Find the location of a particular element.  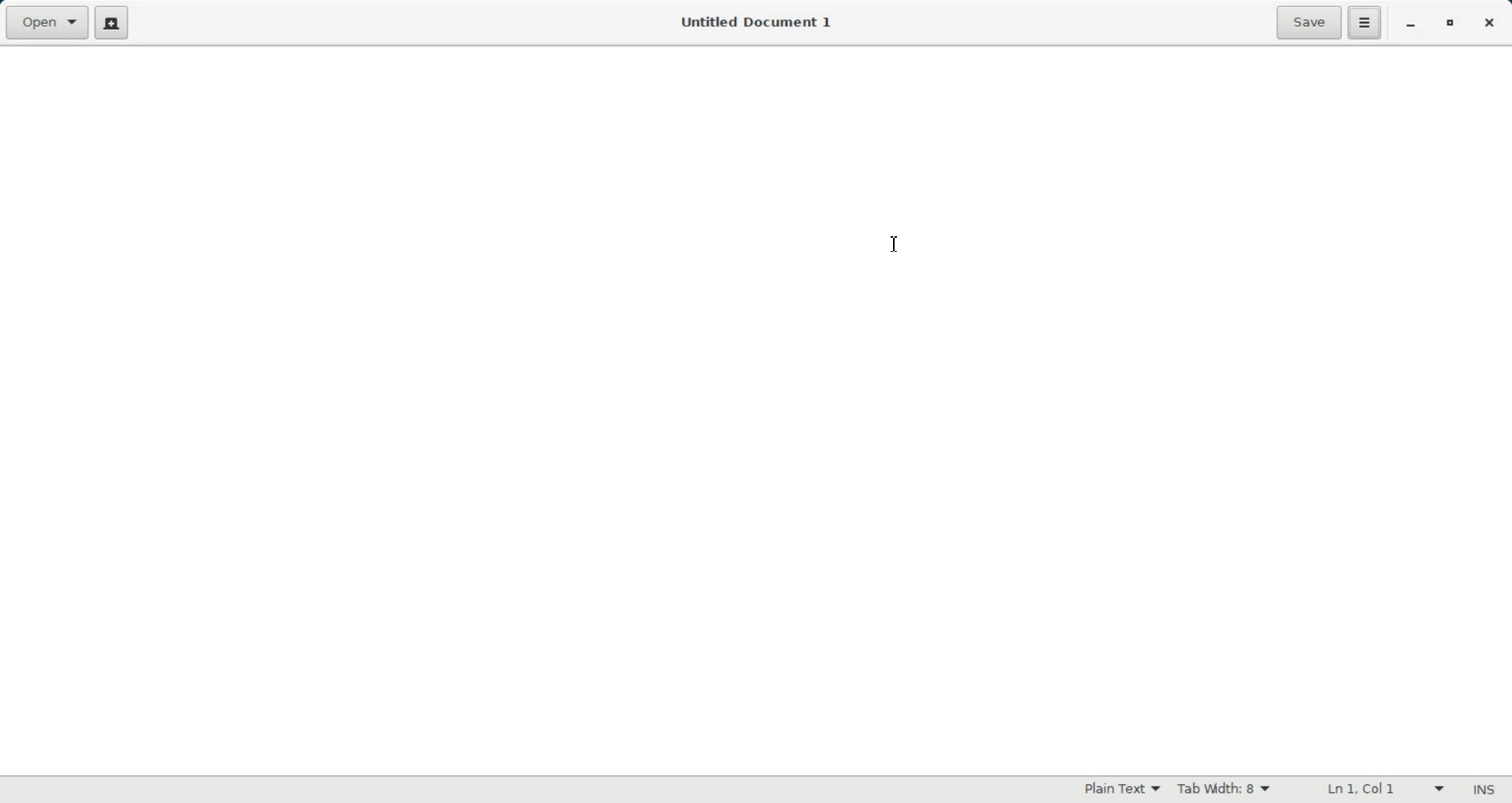

Text Cursor is located at coordinates (895, 244).